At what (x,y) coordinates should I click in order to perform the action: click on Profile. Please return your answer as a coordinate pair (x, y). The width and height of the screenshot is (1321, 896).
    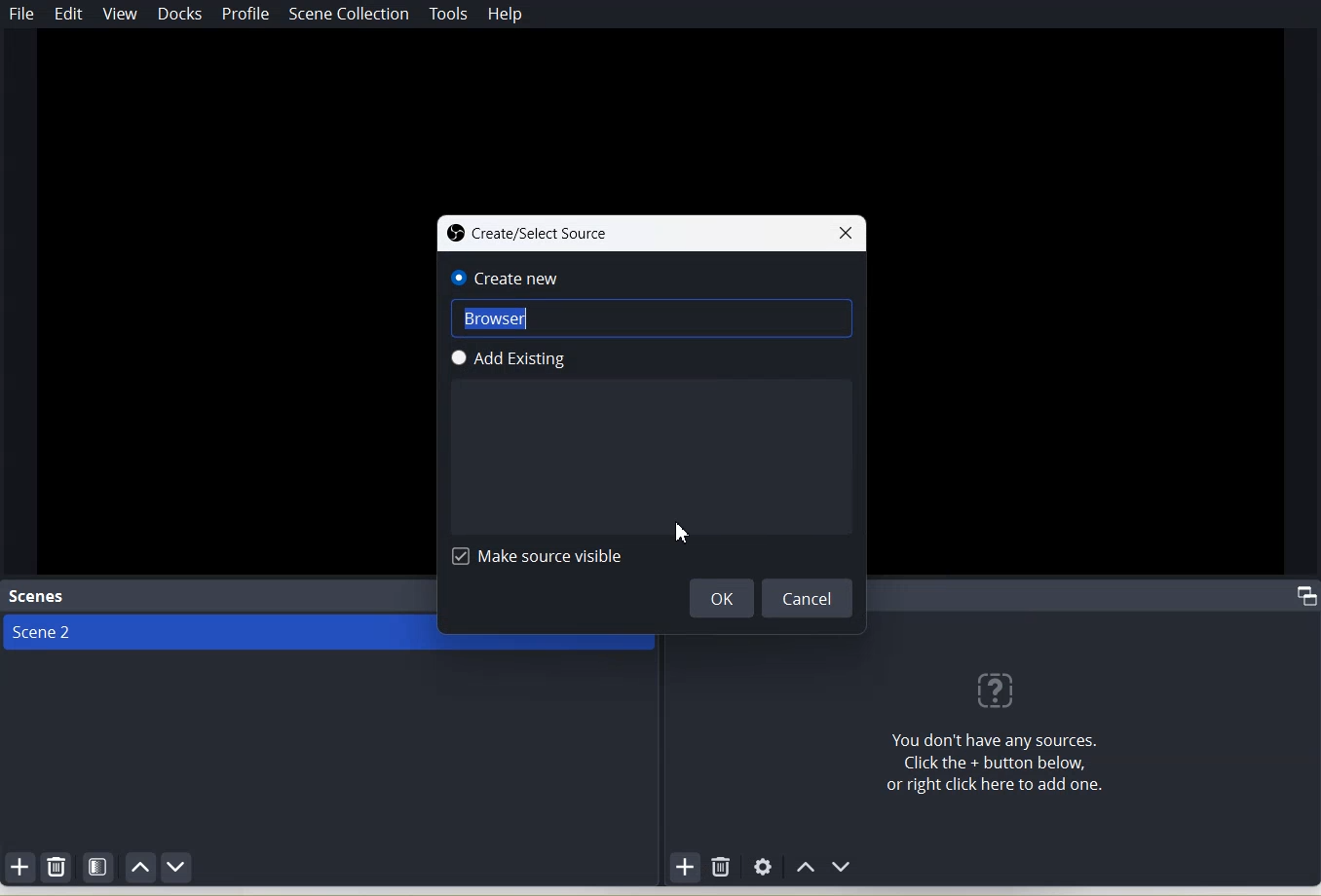
    Looking at the image, I should click on (245, 16).